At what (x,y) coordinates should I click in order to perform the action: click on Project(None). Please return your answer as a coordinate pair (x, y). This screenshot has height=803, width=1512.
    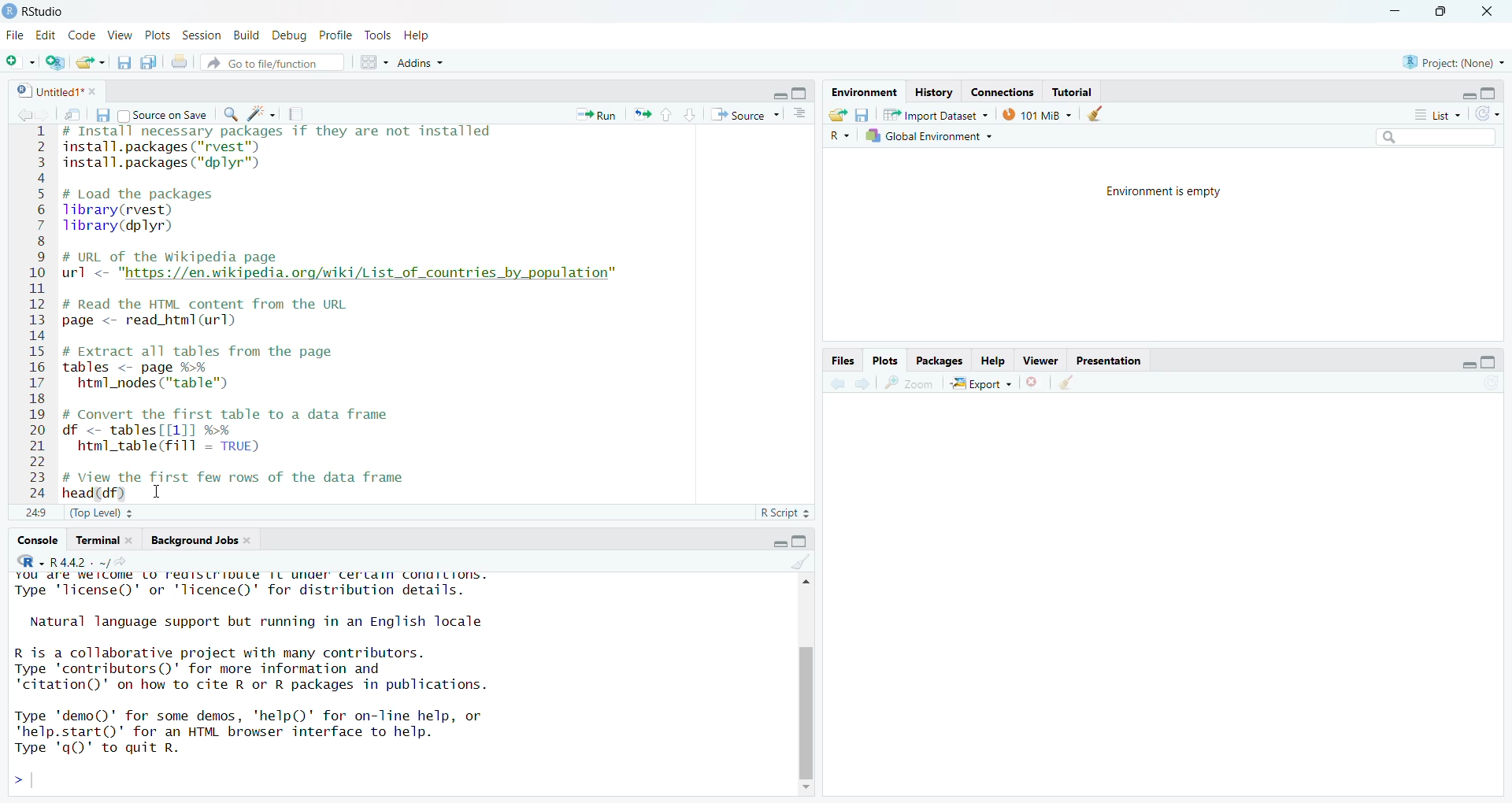
    Looking at the image, I should click on (1455, 63).